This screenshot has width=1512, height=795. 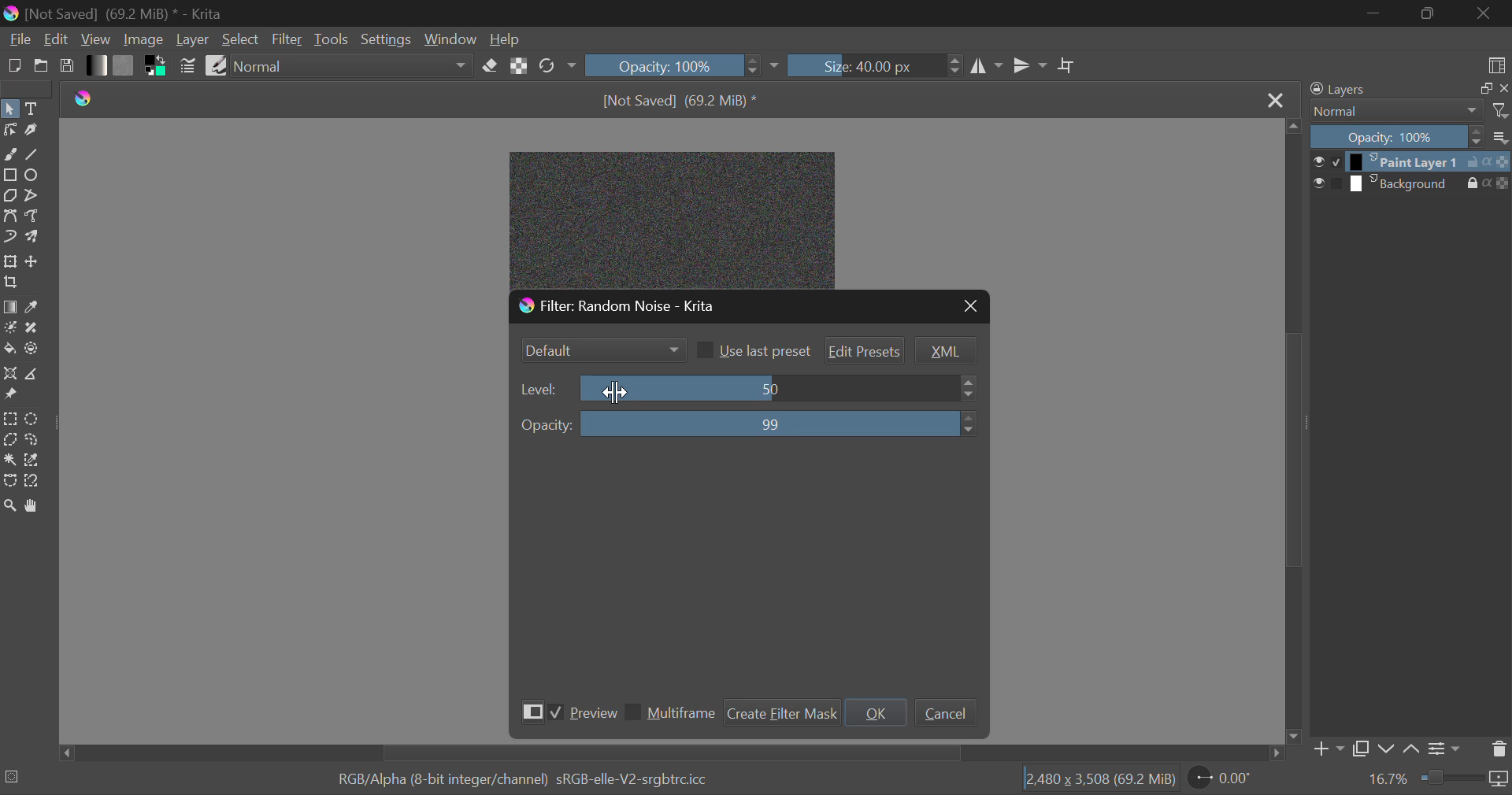 What do you see at coordinates (1481, 184) in the screenshot?
I see `alpha` at bounding box center [1481, 184].